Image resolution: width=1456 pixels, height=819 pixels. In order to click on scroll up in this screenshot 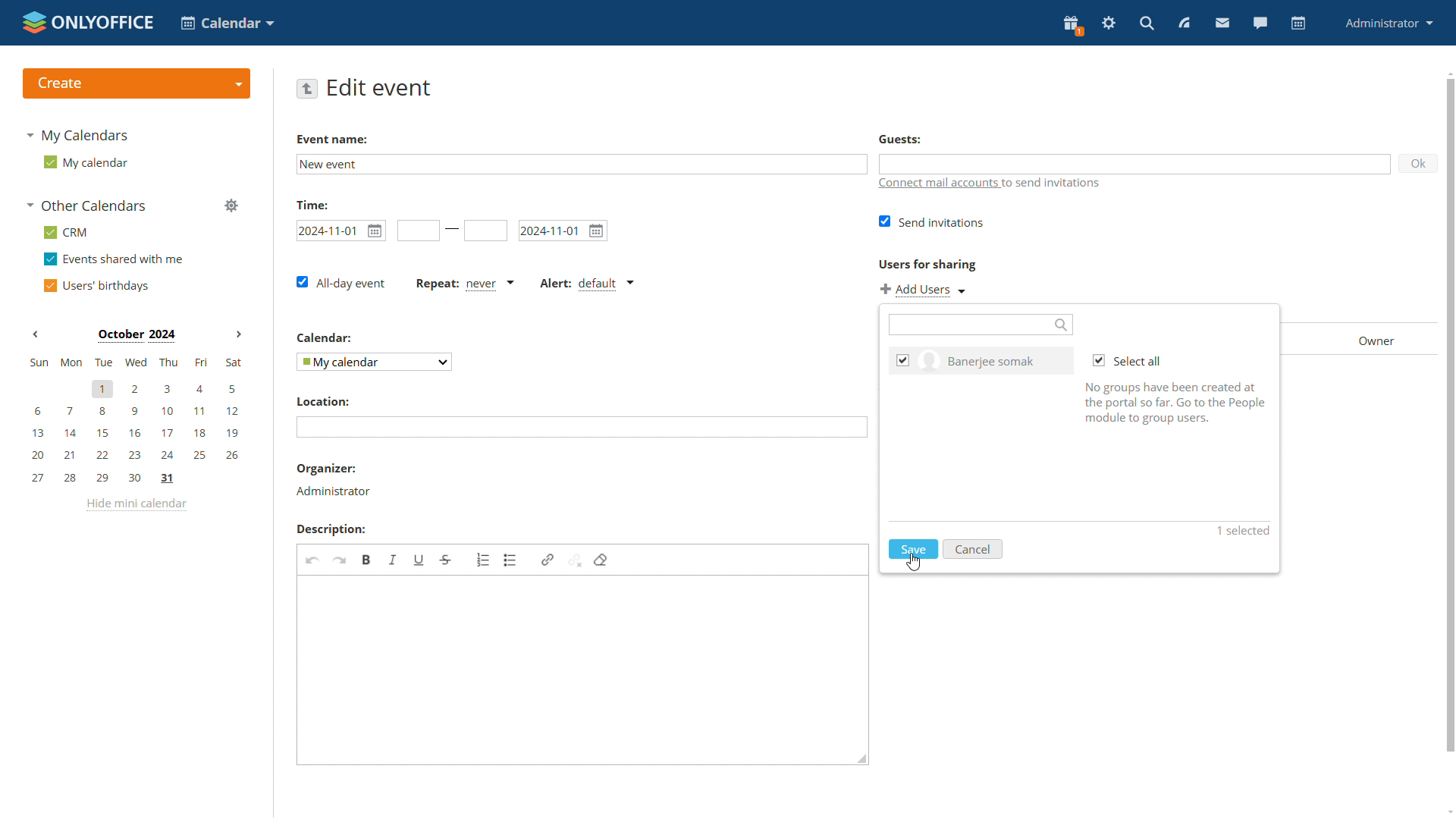, I will do `click(1449, 73)`.